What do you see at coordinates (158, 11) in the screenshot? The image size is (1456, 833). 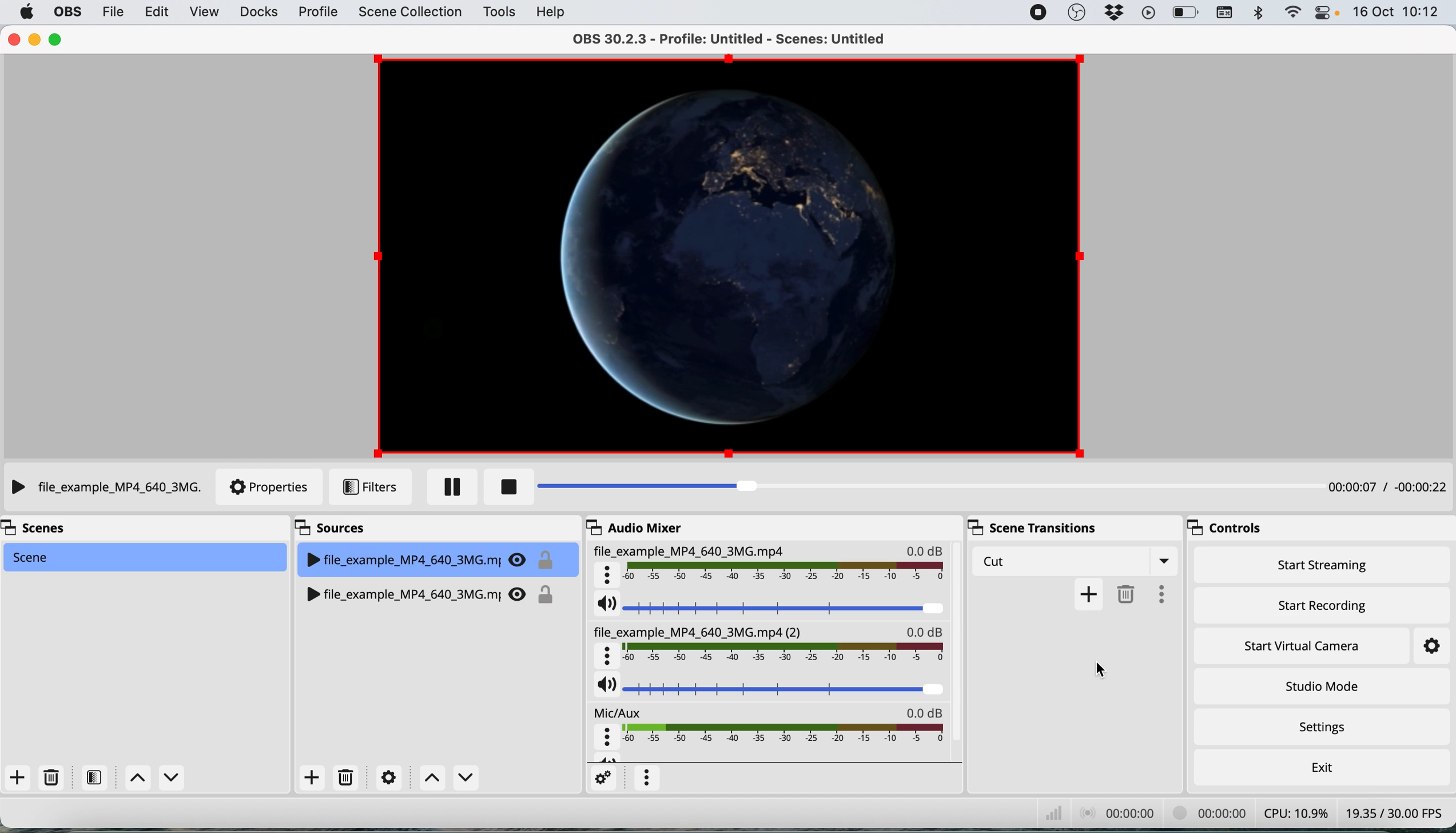 I see `edit` at bounding box center [158, 11].